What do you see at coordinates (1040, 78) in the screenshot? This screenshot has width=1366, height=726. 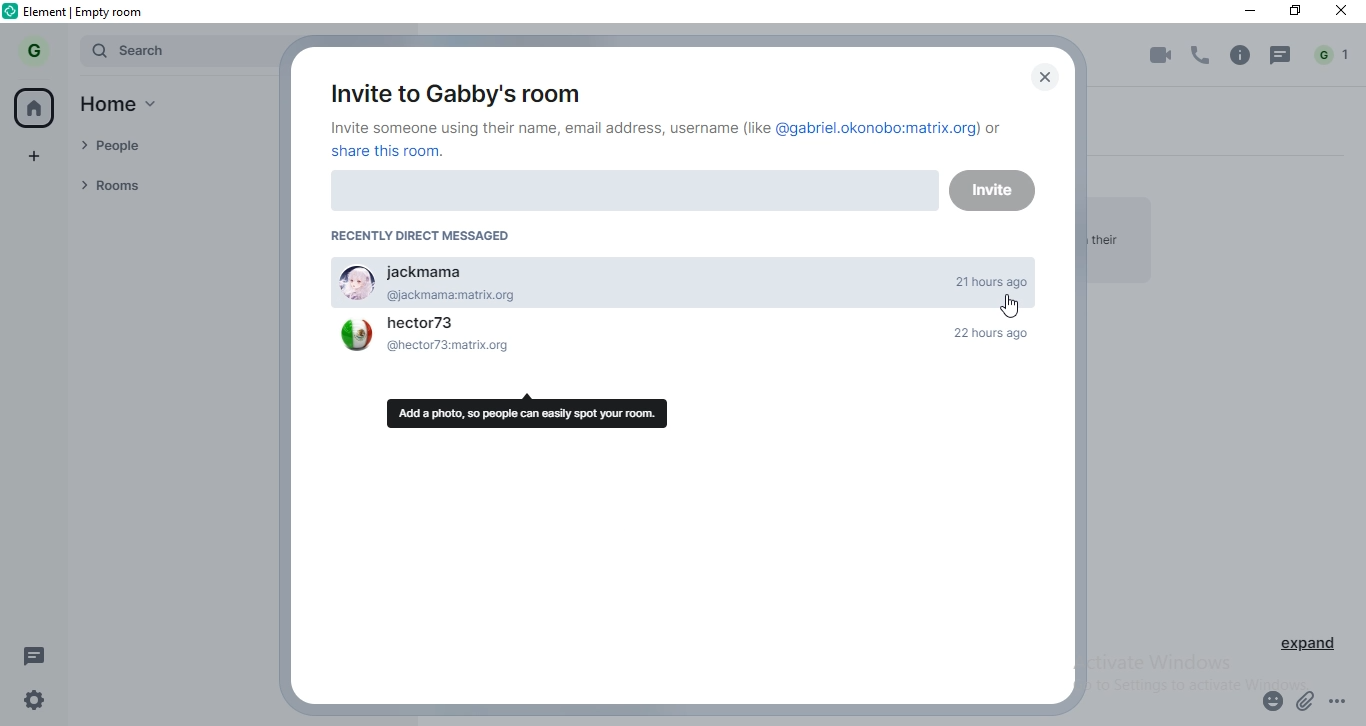 I see `close` at bounding box center [1040, 78].